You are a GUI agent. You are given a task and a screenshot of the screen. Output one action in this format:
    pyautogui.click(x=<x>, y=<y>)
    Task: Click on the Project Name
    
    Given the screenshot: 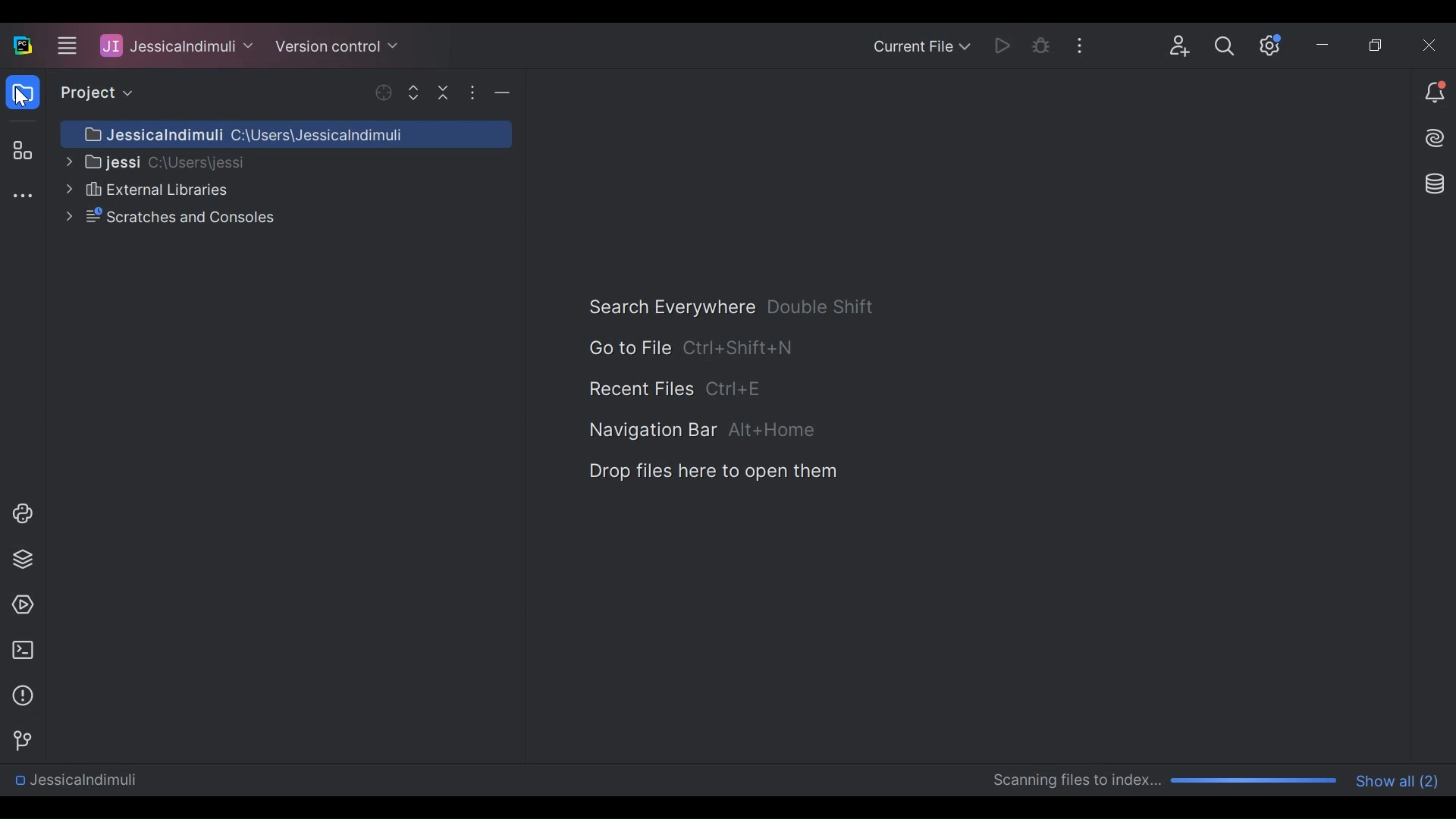 What is the action you would take?
    pyautogui.click(x=174, y=45)
    